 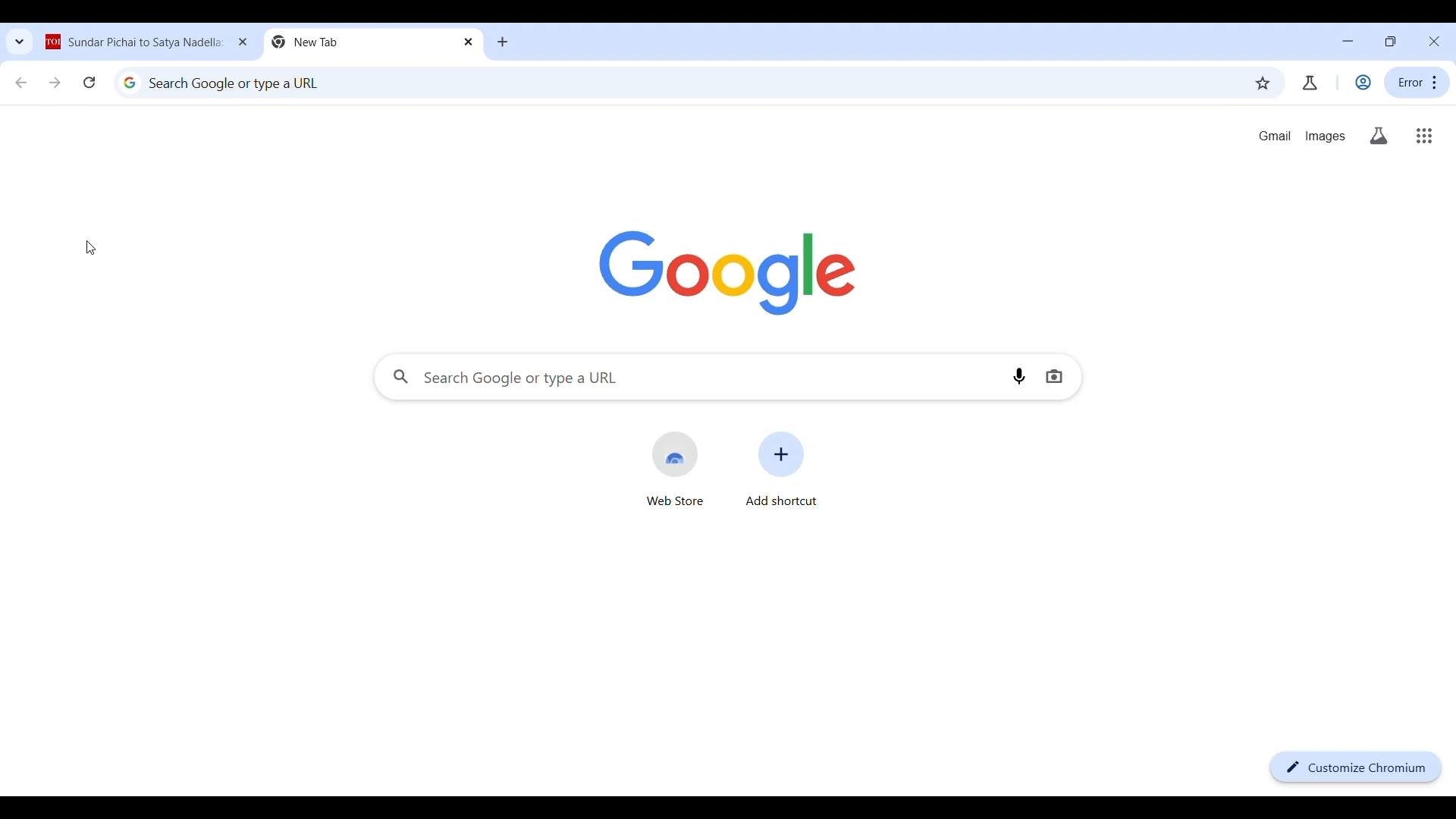 What do you see at coordinates (145, 44) in the screenshot?
I see `Unpinned task appears as a tab again` at bounding box center [145, 44].